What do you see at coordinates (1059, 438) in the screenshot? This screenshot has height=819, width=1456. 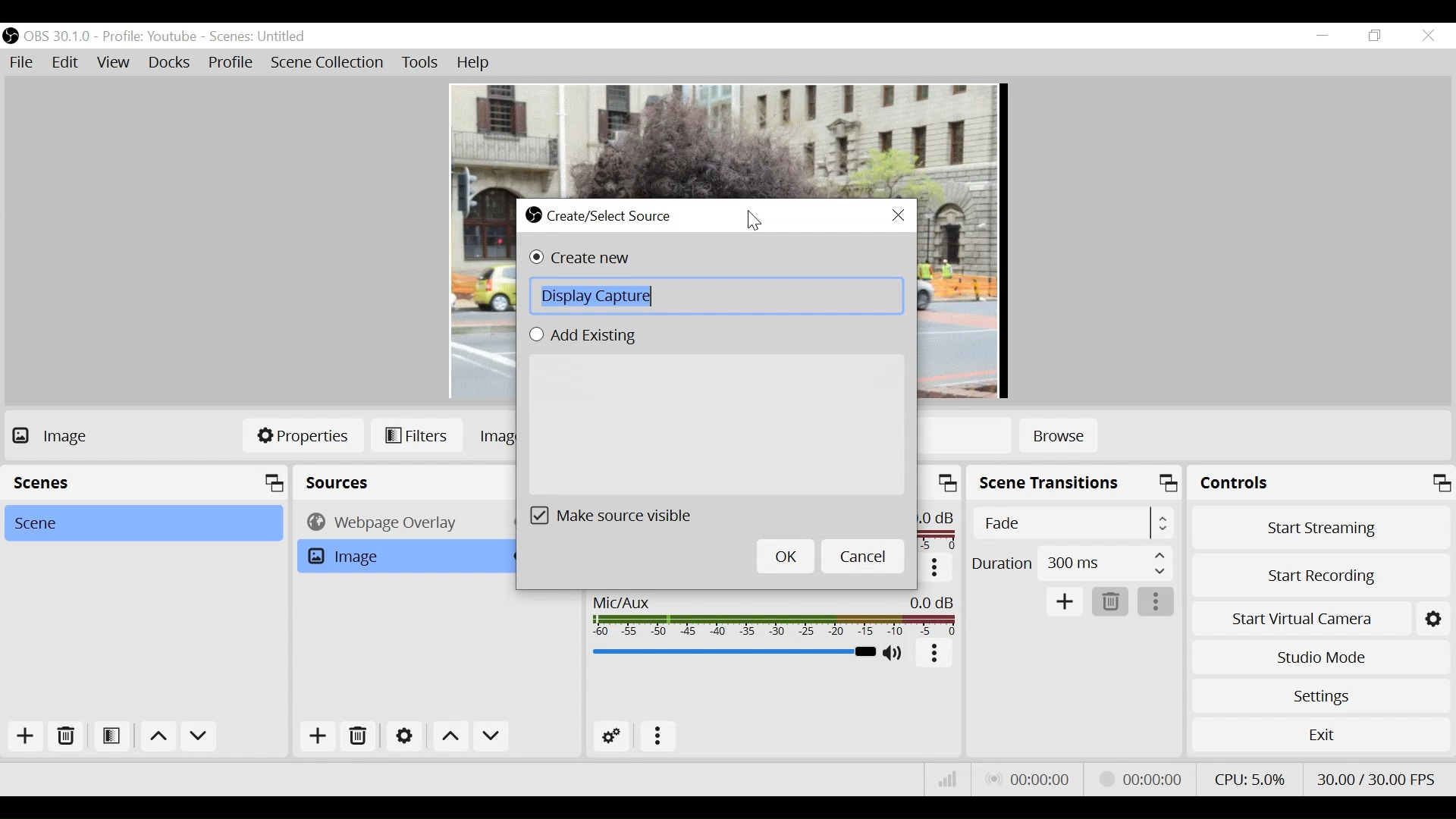 I see `Browse` at bounding box center [1059, 438].